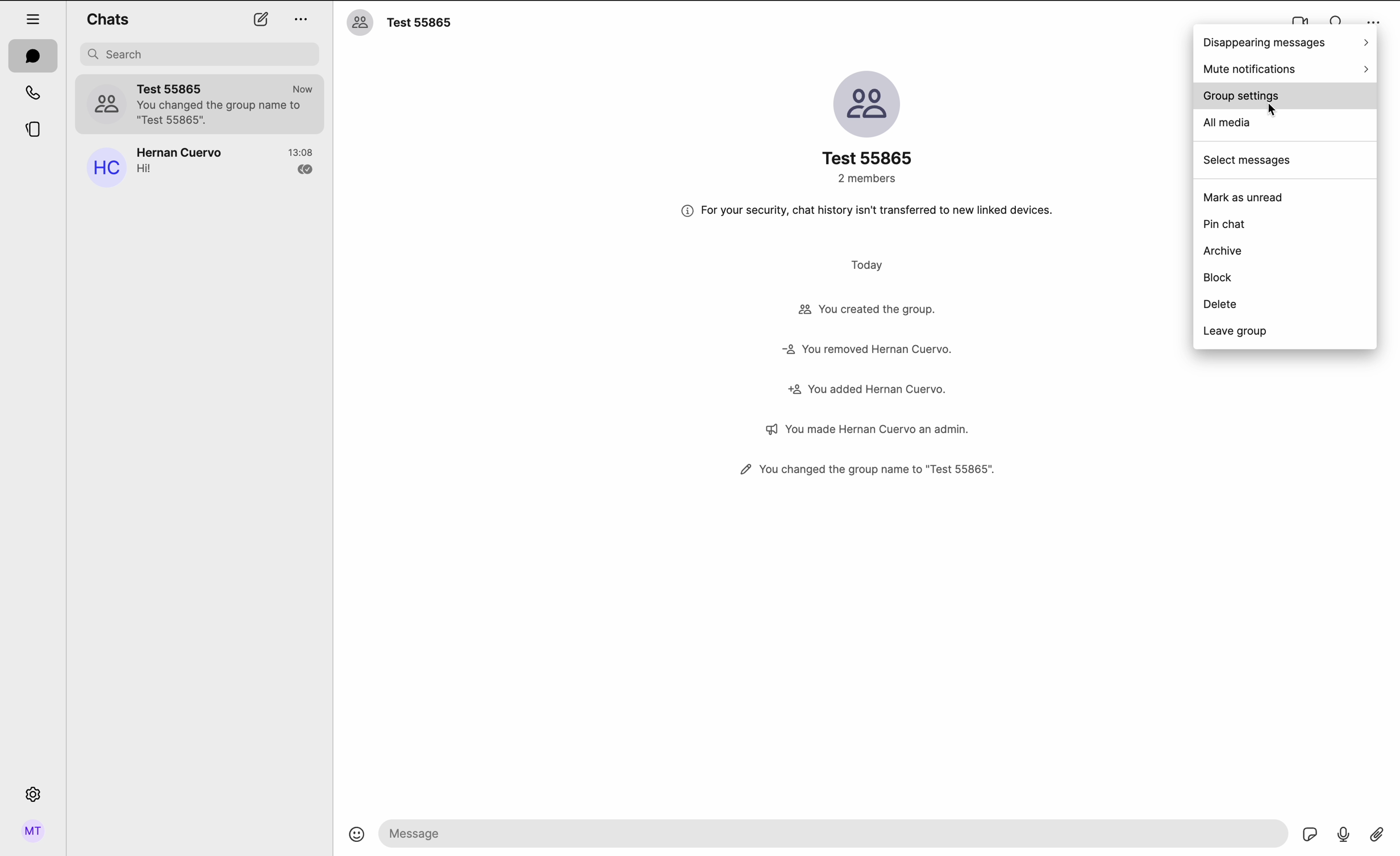 The width and height of the screenshot is (1400, 856). What do you see at coordinates (1286, 69) in the screenshot?
I see `mute notifications` at bounding box center [1286, 69].